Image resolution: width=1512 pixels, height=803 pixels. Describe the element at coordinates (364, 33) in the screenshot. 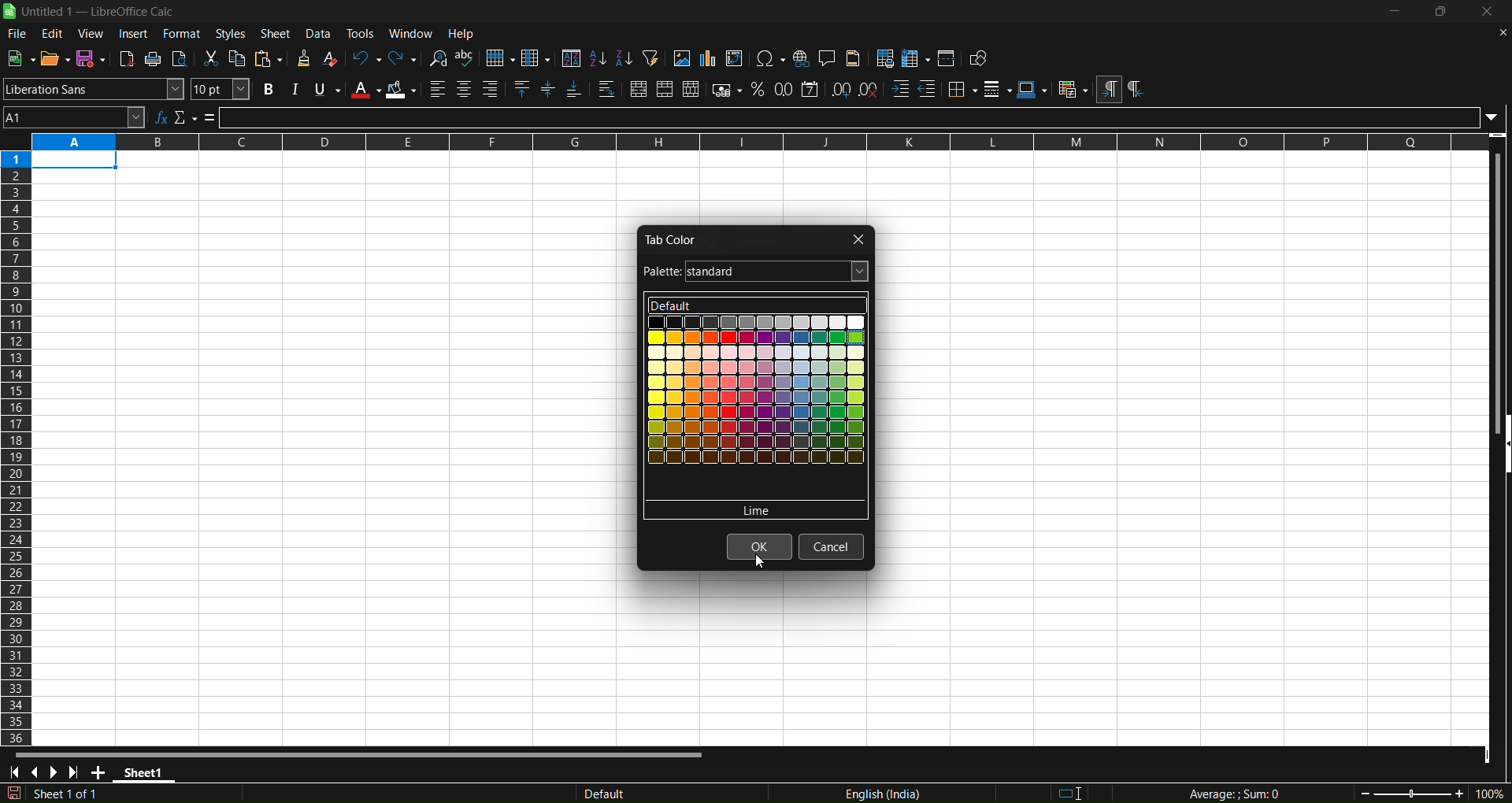

I see `tools` at that location.